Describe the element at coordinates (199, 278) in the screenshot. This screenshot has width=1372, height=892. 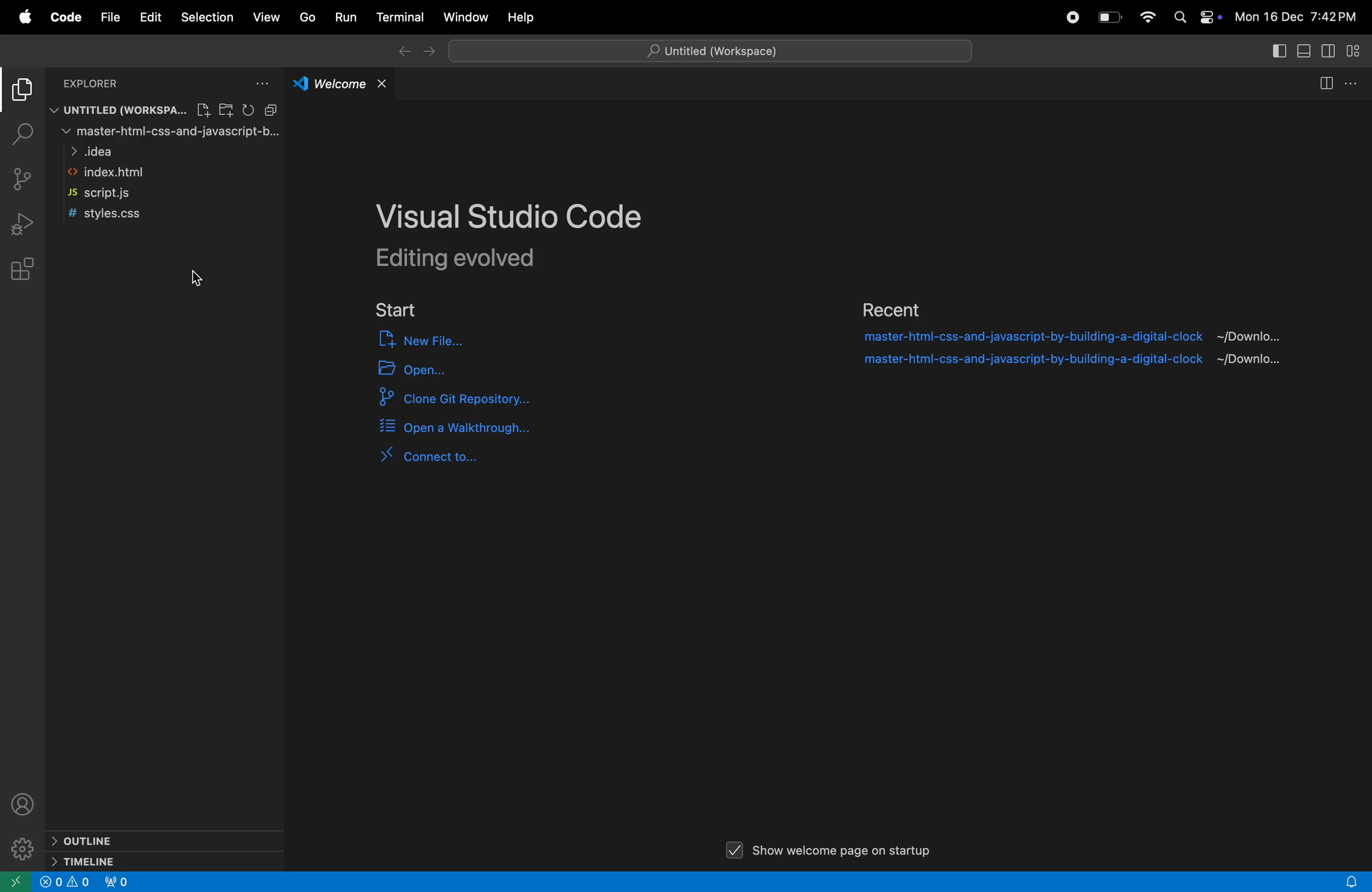
I see `cursor` at that location.